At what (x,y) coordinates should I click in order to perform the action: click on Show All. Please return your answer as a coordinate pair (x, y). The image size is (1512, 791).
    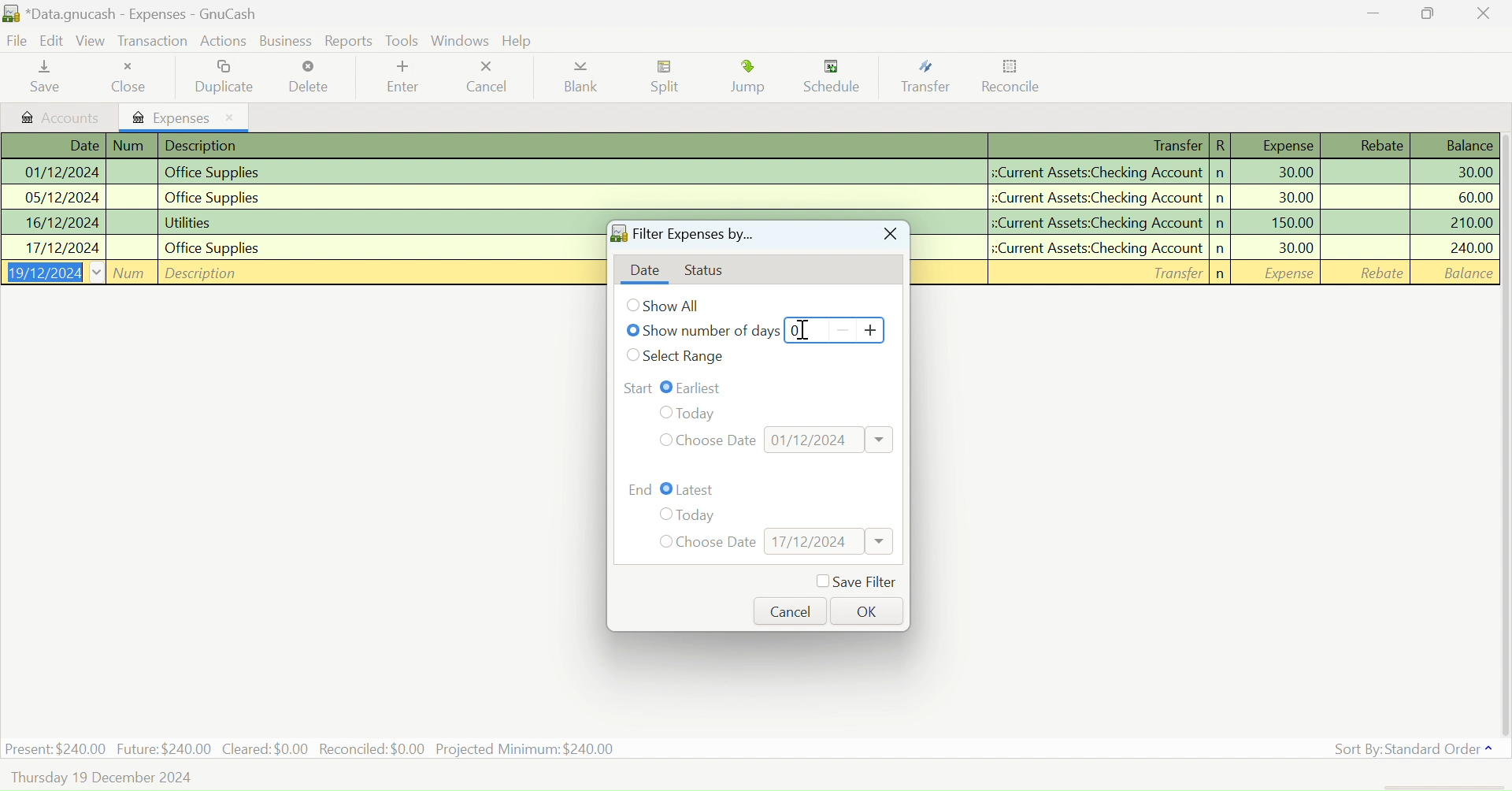
    Looking at the image, I should click on (676, 306).